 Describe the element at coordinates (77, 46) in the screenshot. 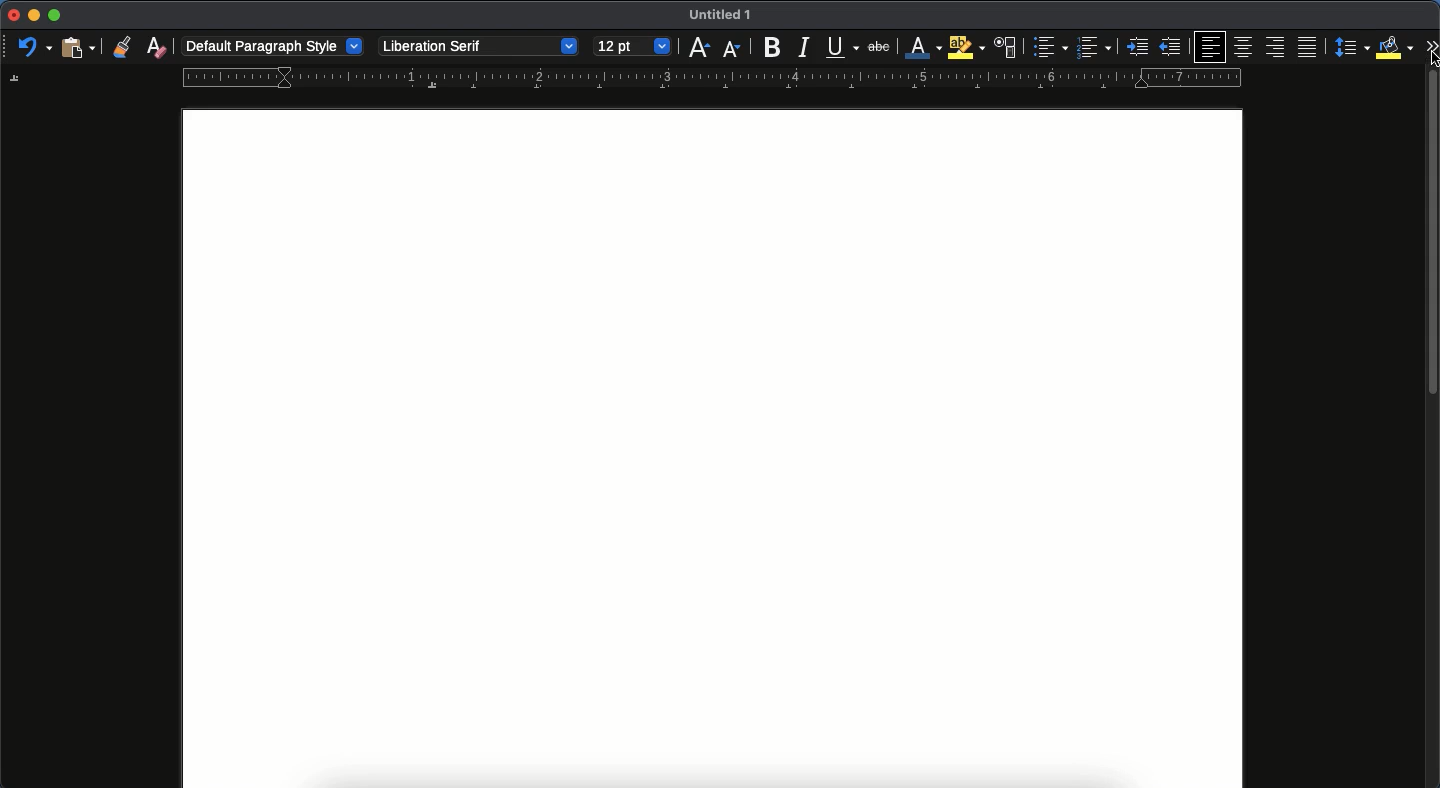

I see `paste` at that location.